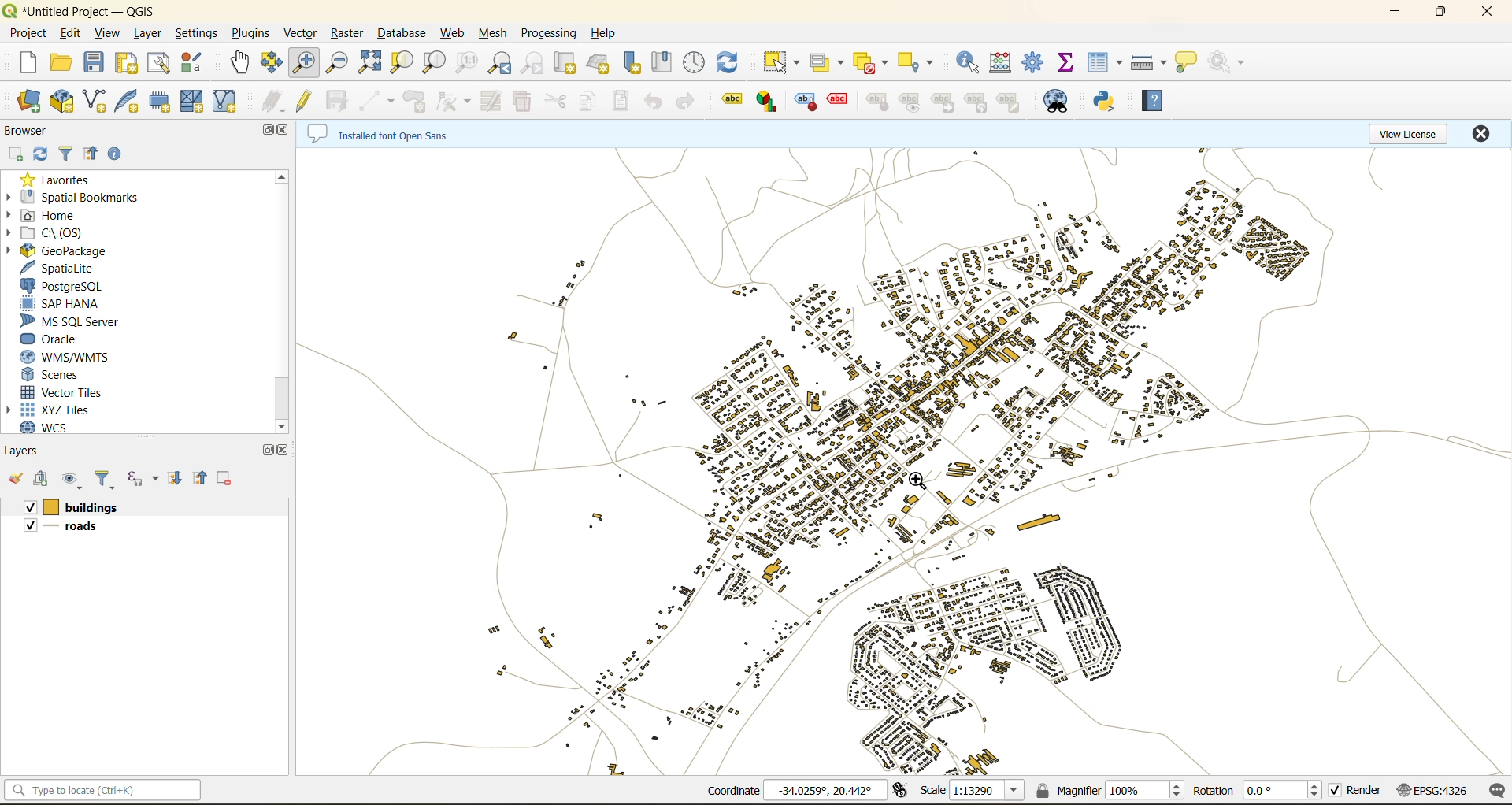  I want to click on Change Label Address, so click(878, 105).